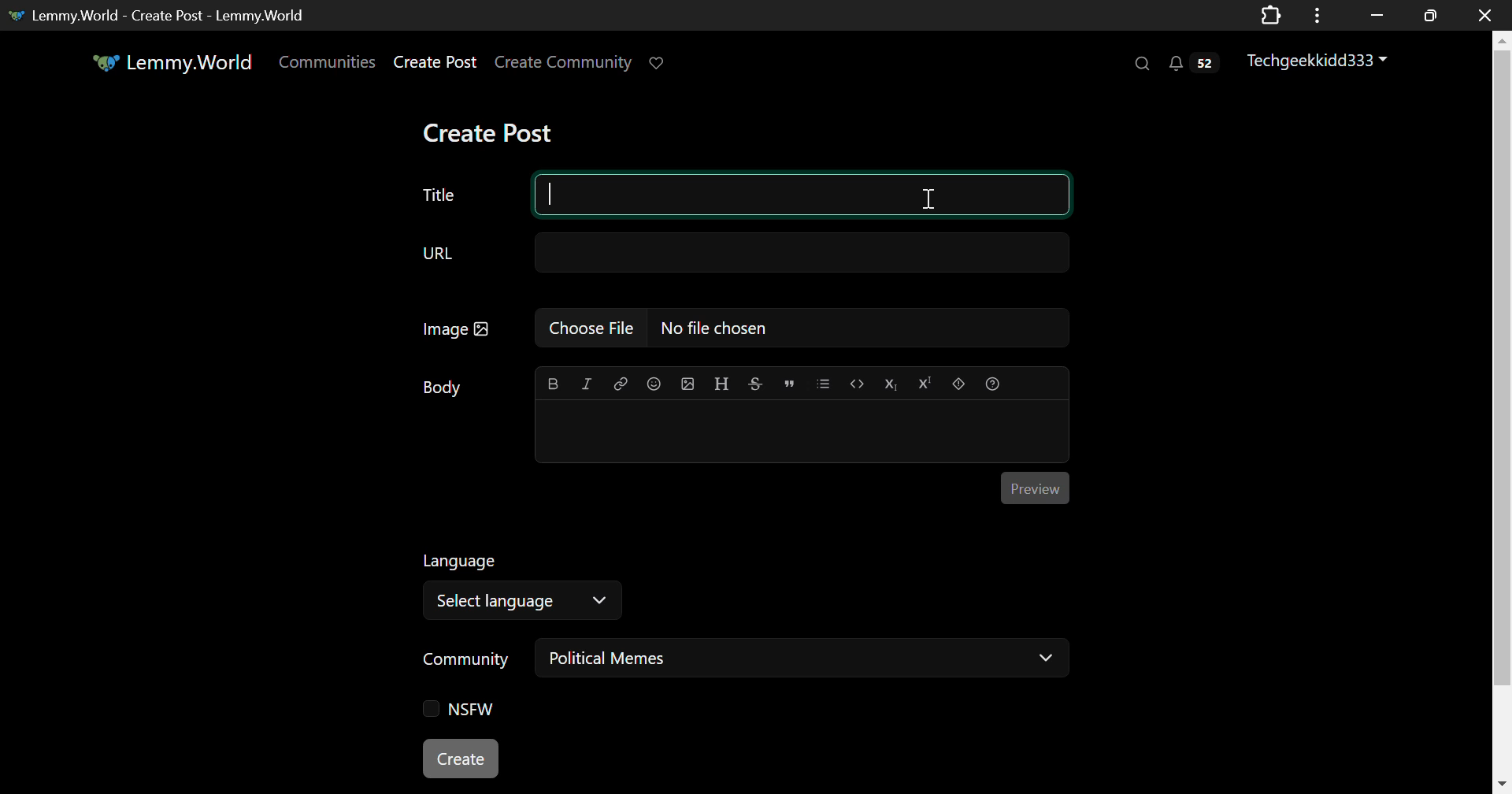 This screenshot has width=1512, height=794. What do you see at coordinates (1374, 15) in the screenshot?
I see `Restore Down` at bounding box center [1374, 15].